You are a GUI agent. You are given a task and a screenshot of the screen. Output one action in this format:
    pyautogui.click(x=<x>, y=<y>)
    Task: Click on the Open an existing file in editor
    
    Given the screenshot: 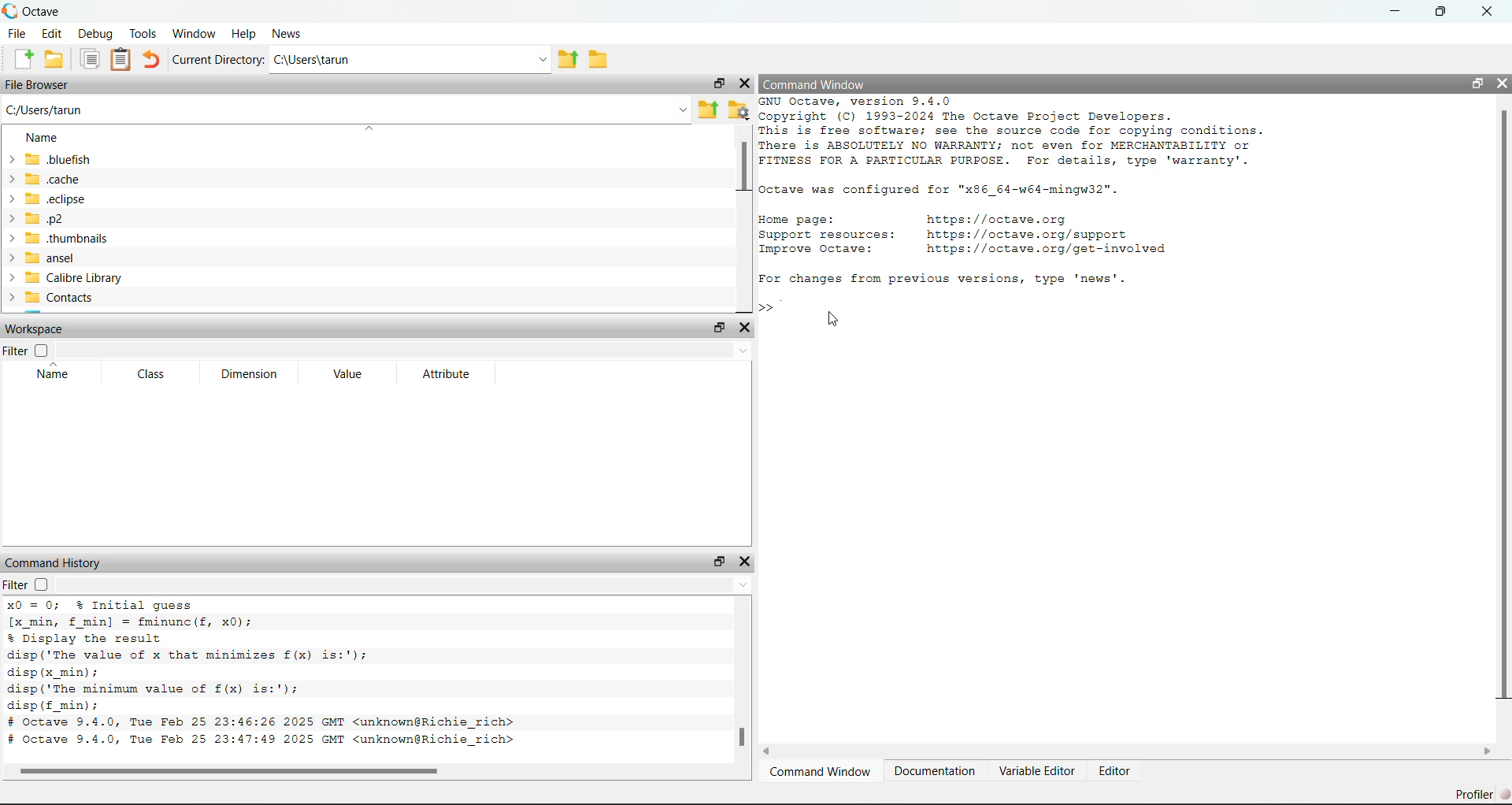 What is the action you would take?
    pyautogui.click(x=57, y=58)
    